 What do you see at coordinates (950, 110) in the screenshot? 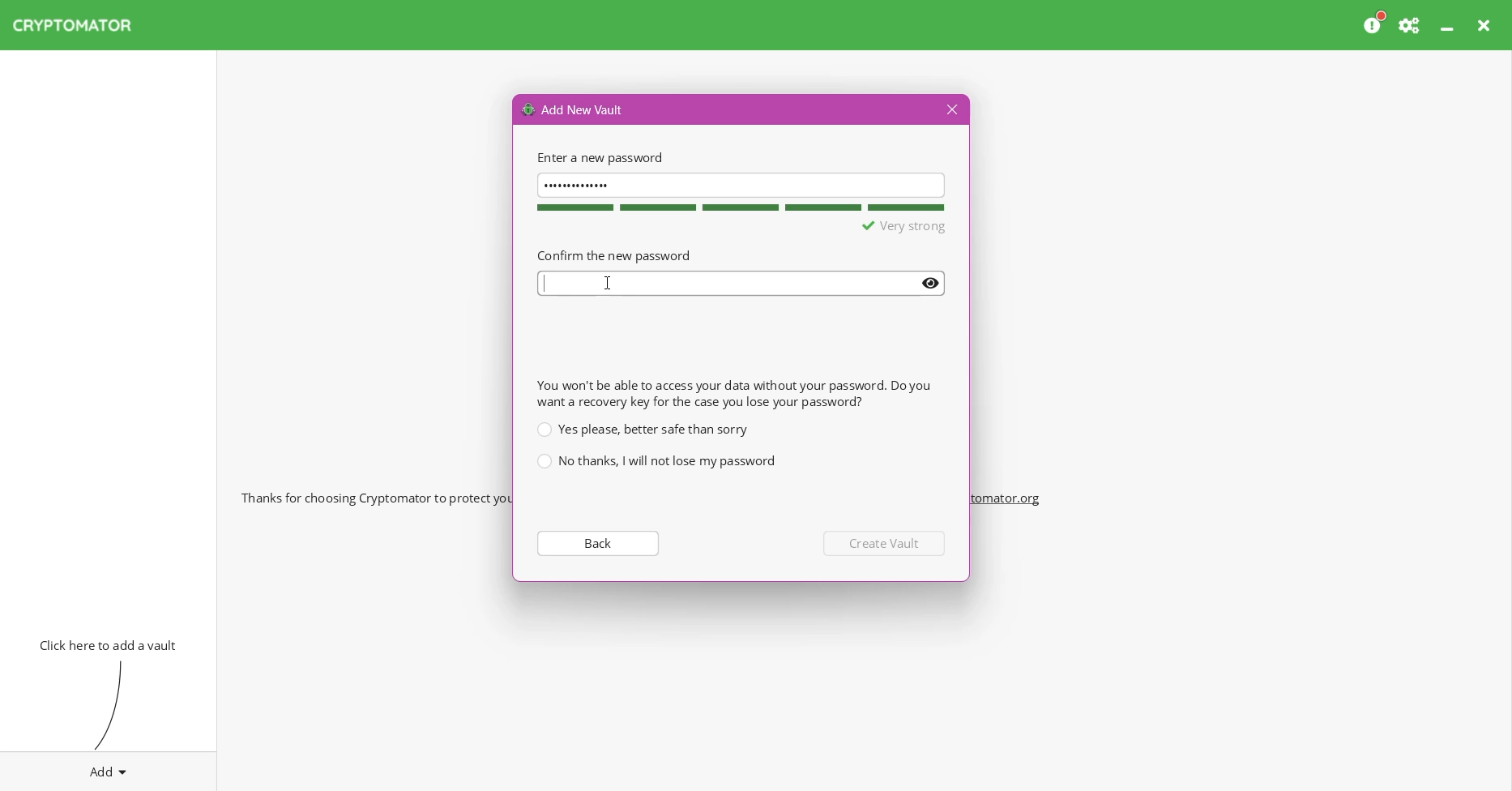
I see `Close` at bounding box center [950, 110].